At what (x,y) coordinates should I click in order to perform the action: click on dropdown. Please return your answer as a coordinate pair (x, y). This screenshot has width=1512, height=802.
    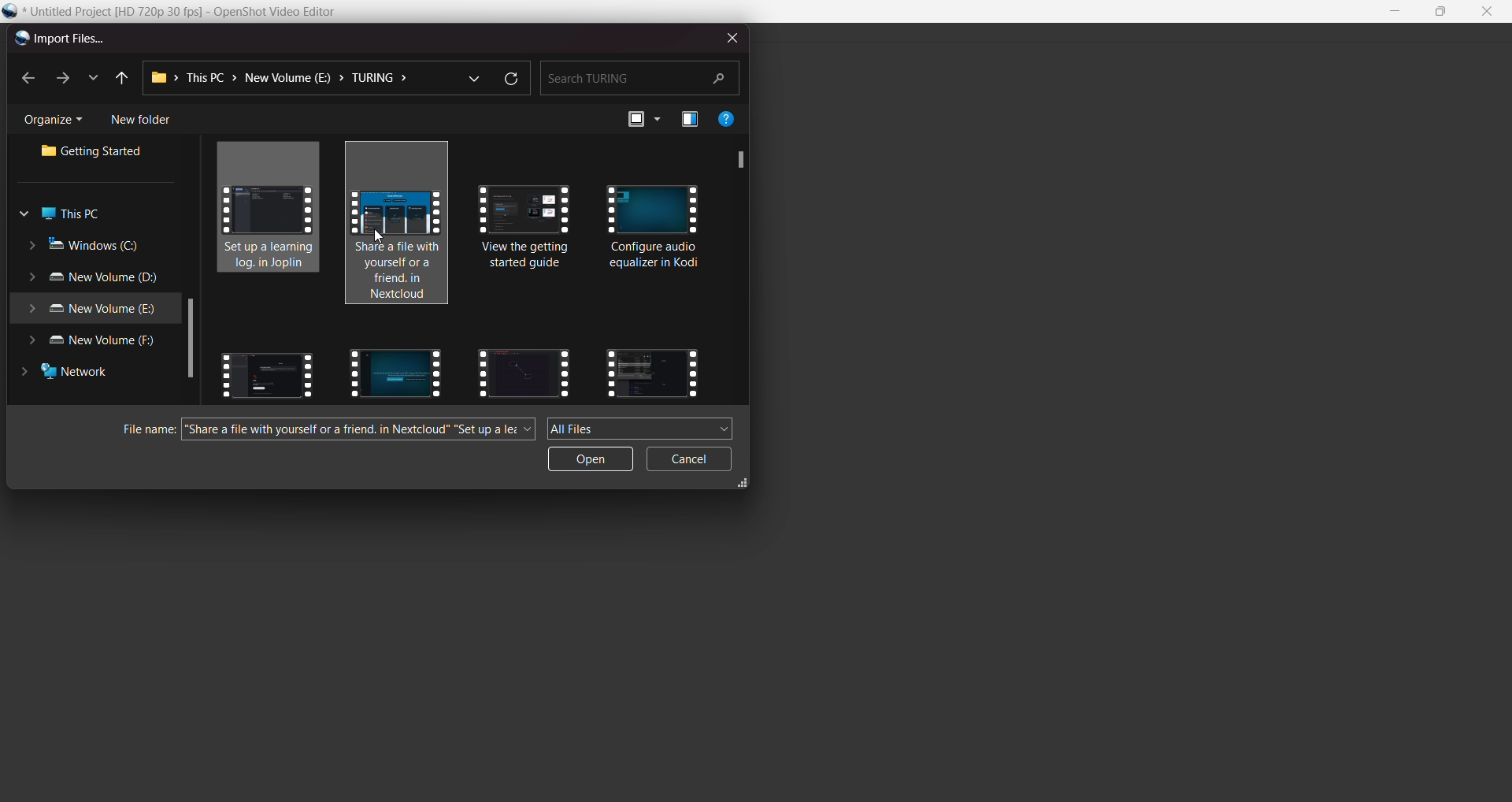
    Looking at the image, I should click on (472, 76).